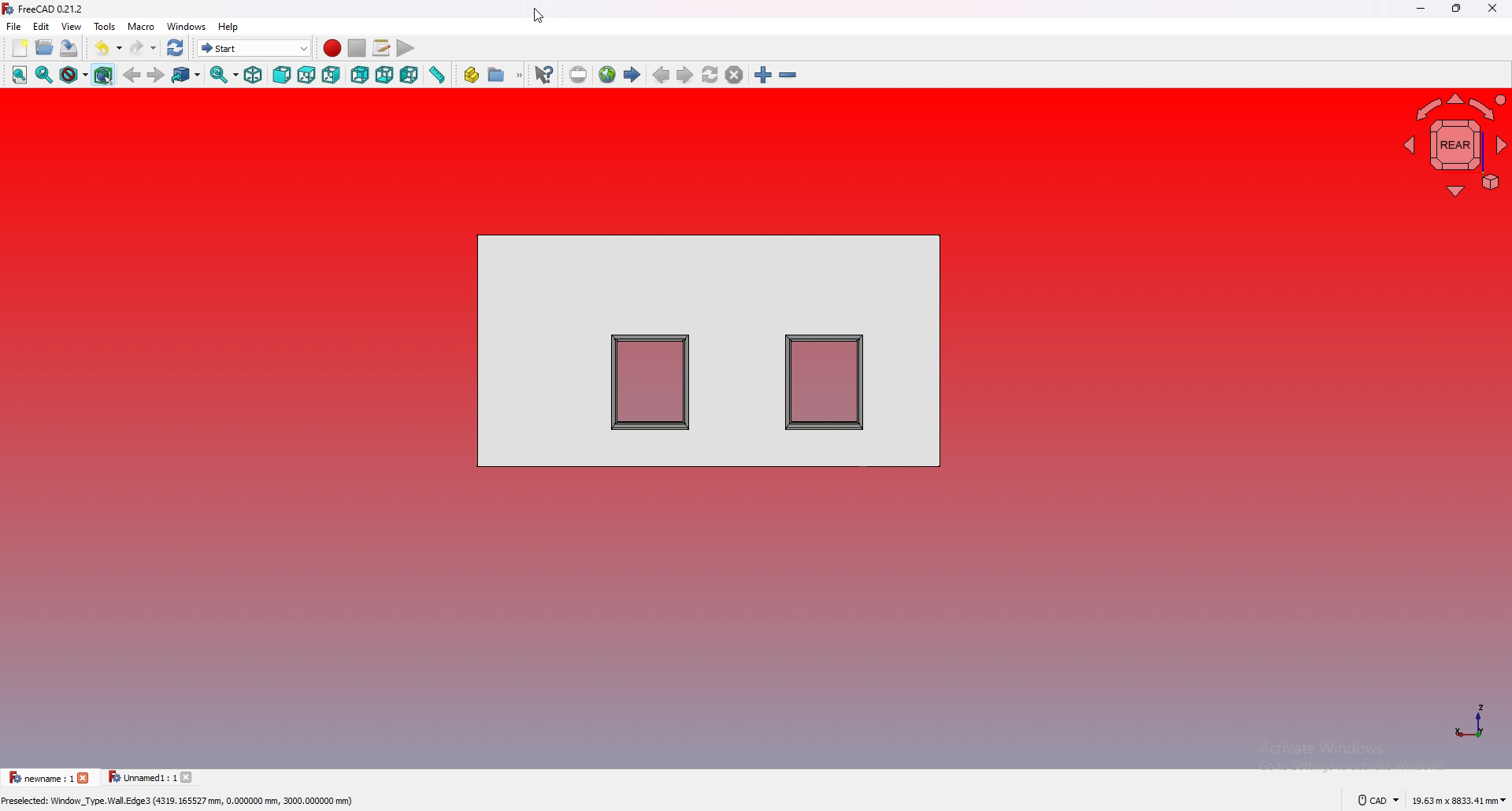 Image resolution: width=1512 pixels, height=811 pixels. I want to click on cursor, so click(538, 16).